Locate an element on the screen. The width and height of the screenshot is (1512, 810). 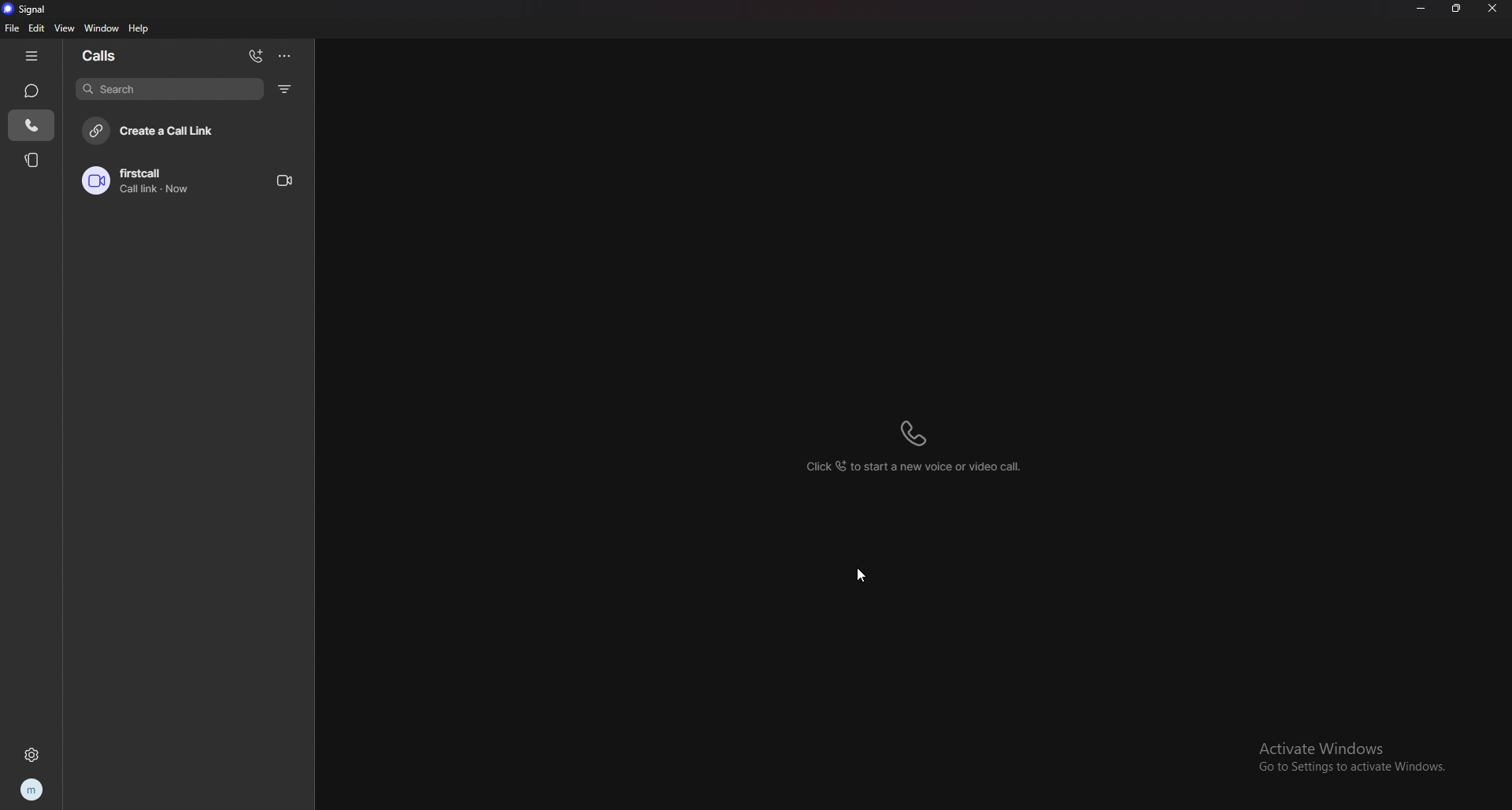
cursor is located at coordinates (861, 575).